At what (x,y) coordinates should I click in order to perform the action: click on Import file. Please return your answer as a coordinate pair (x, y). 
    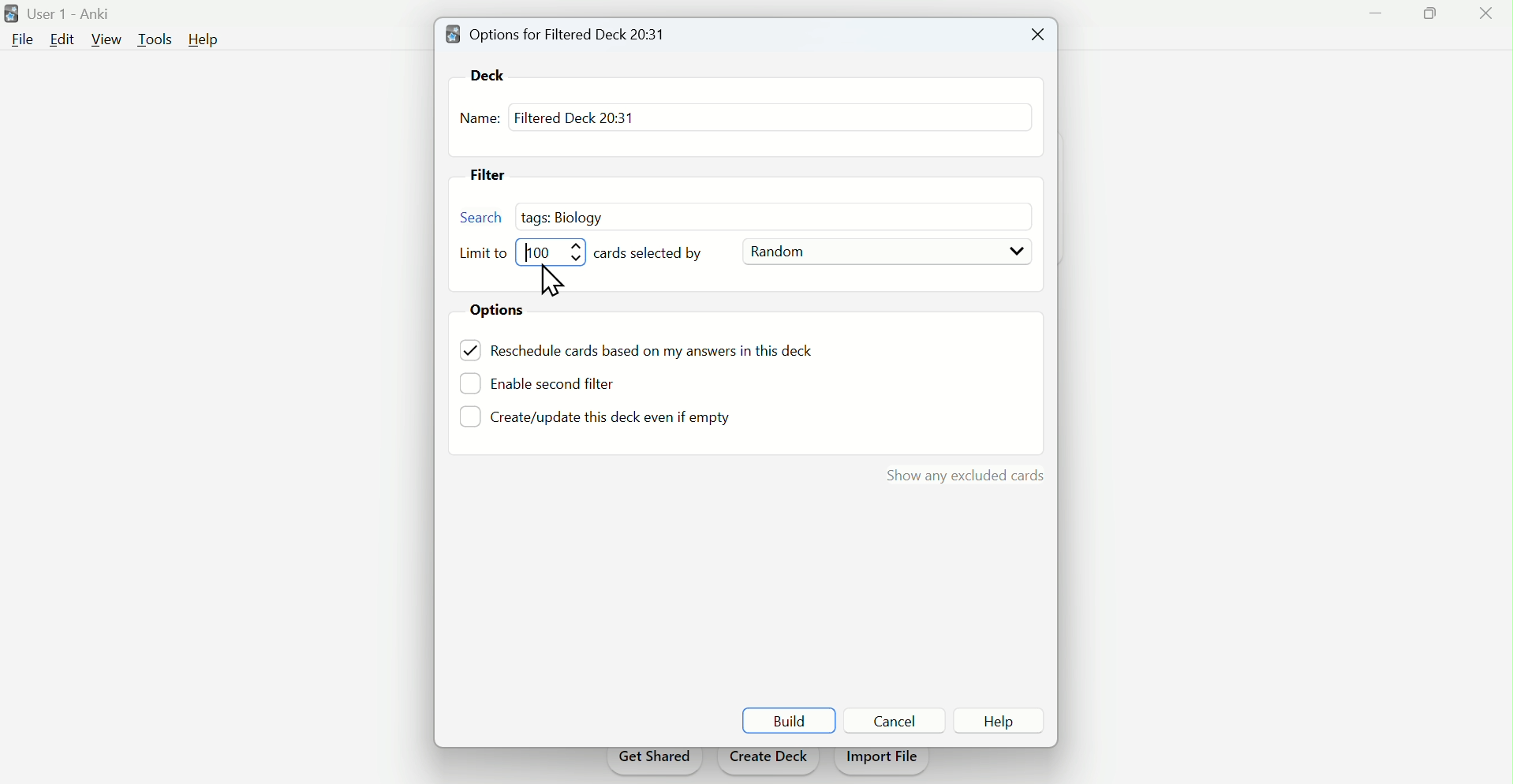
    Looking at the image, I should click on (884, 762).